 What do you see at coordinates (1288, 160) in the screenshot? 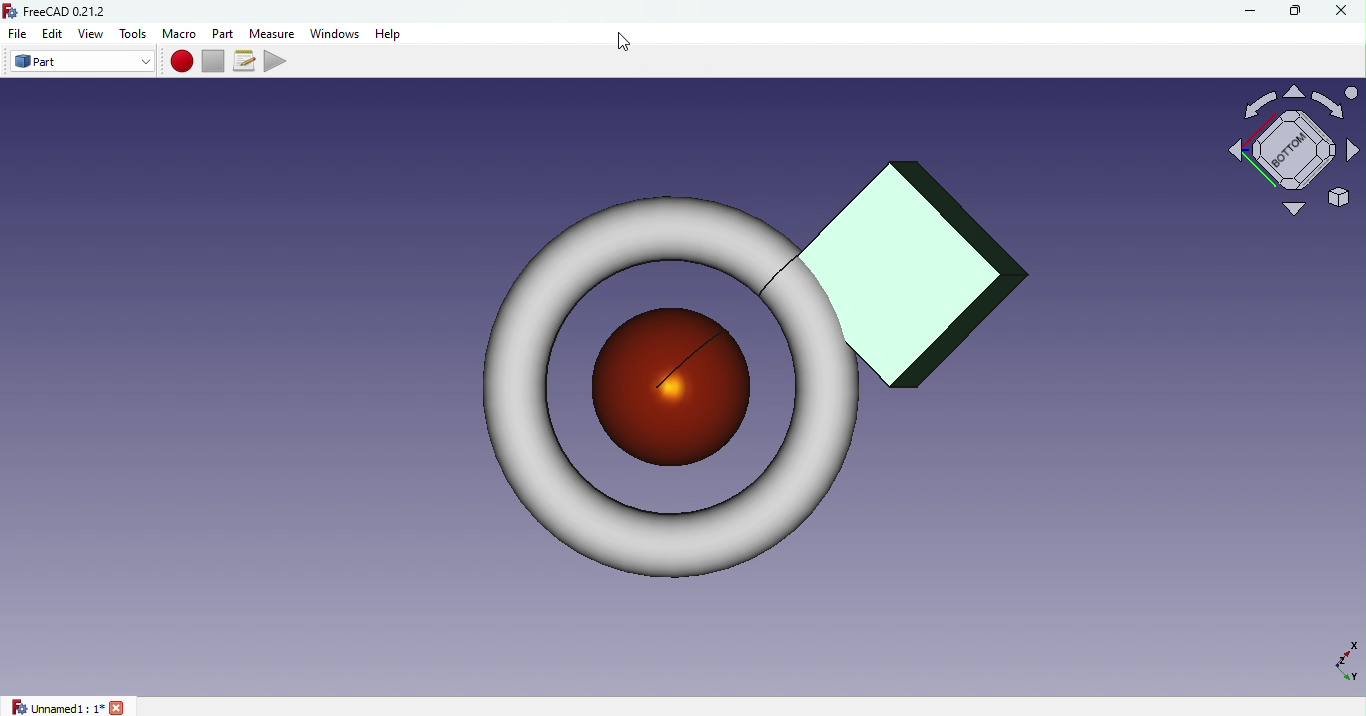
I see `Navigation cube` at bounding box center [1288, 160].